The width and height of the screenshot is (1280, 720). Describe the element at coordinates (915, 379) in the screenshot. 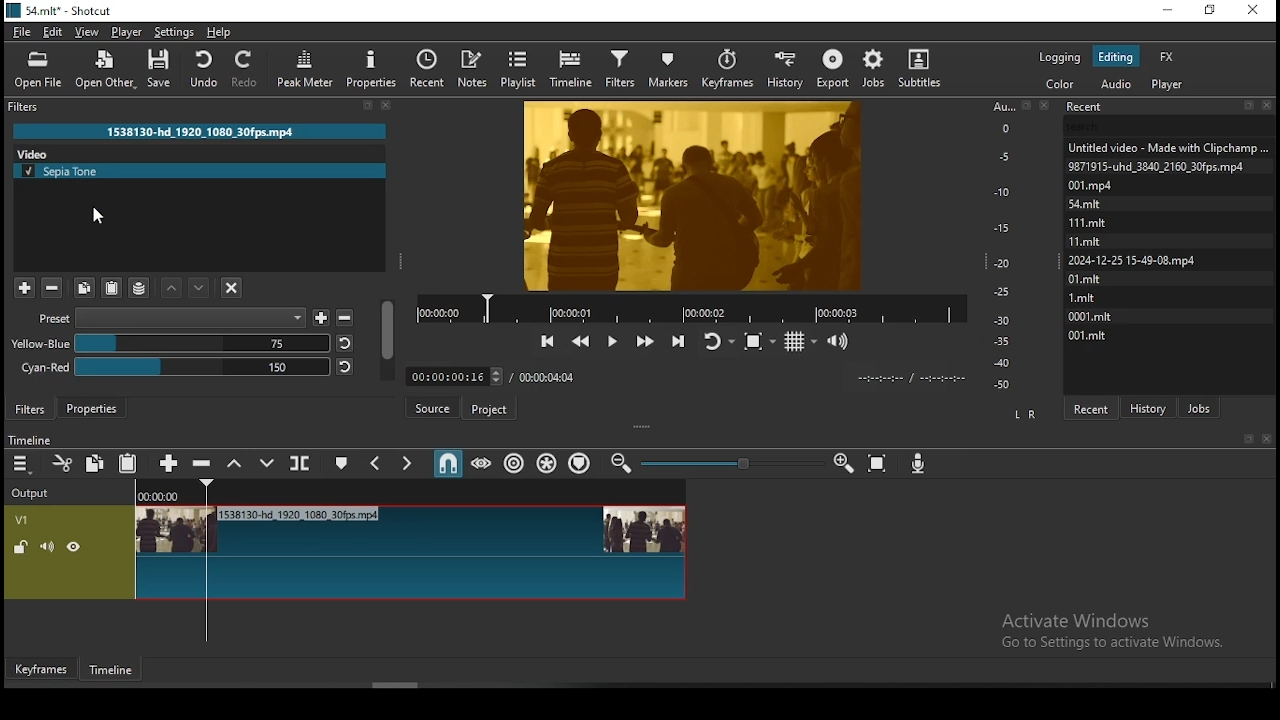

I see `time format` at that location.